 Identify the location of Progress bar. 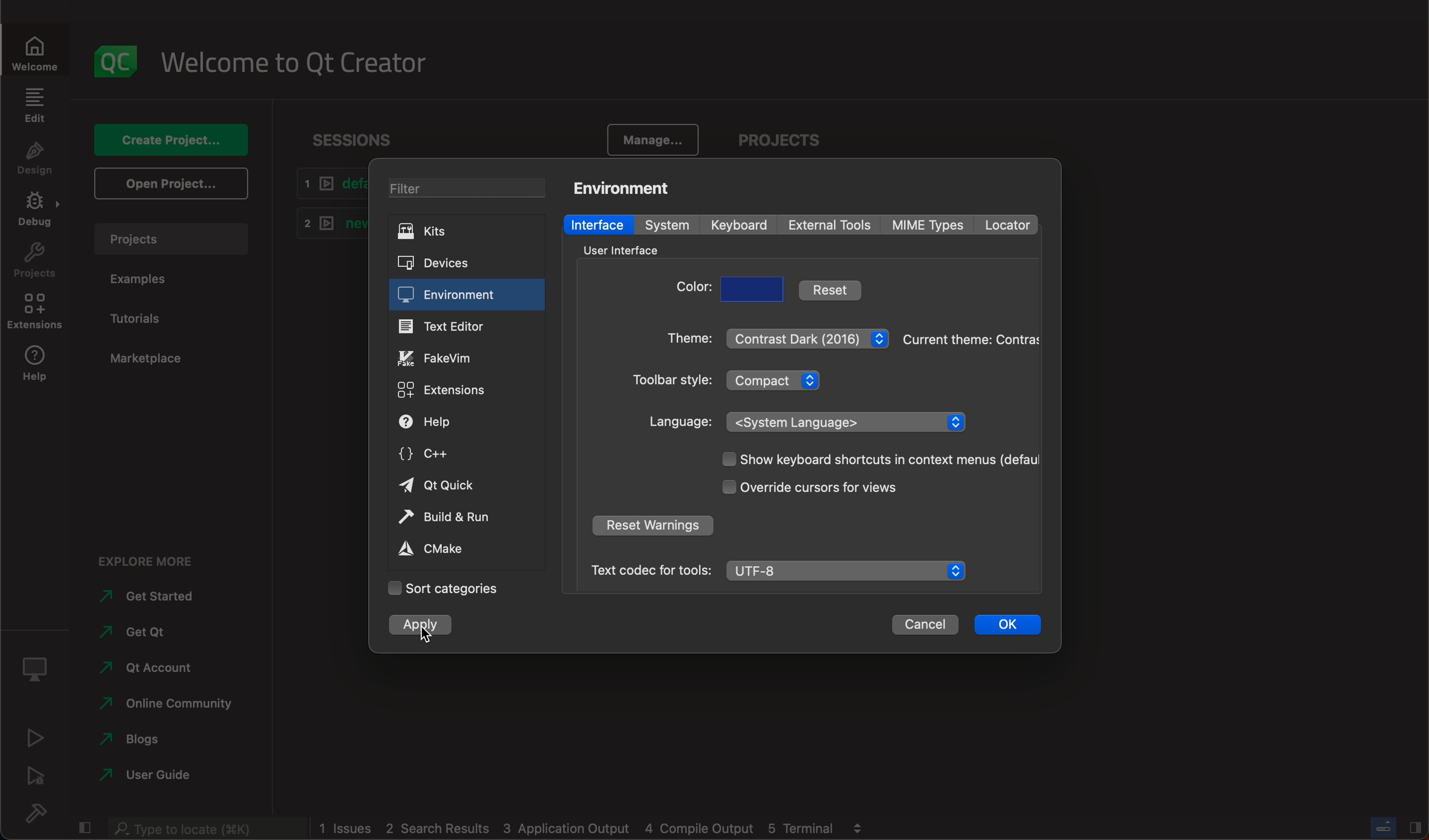
(1384, 827).